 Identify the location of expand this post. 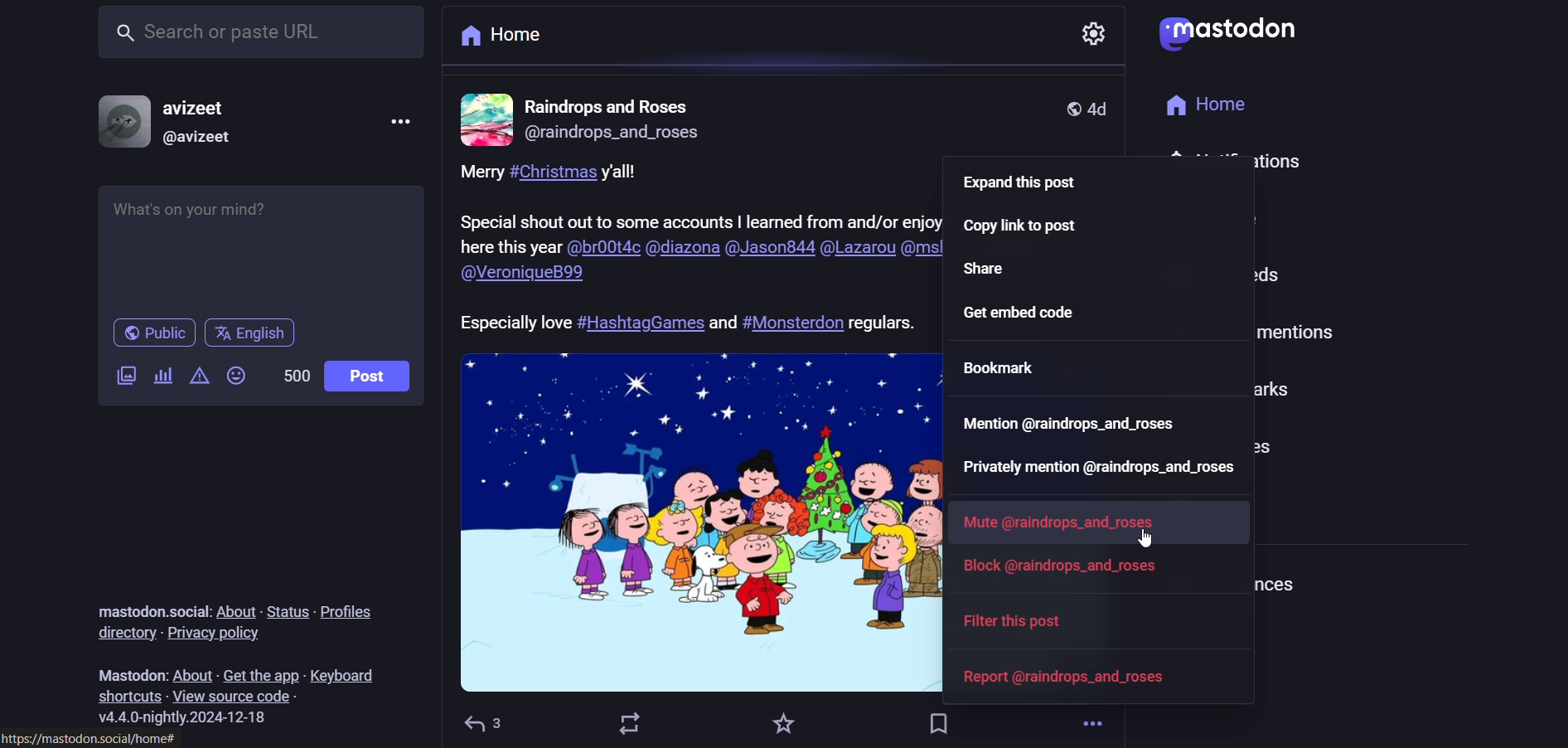
(1021, 186).